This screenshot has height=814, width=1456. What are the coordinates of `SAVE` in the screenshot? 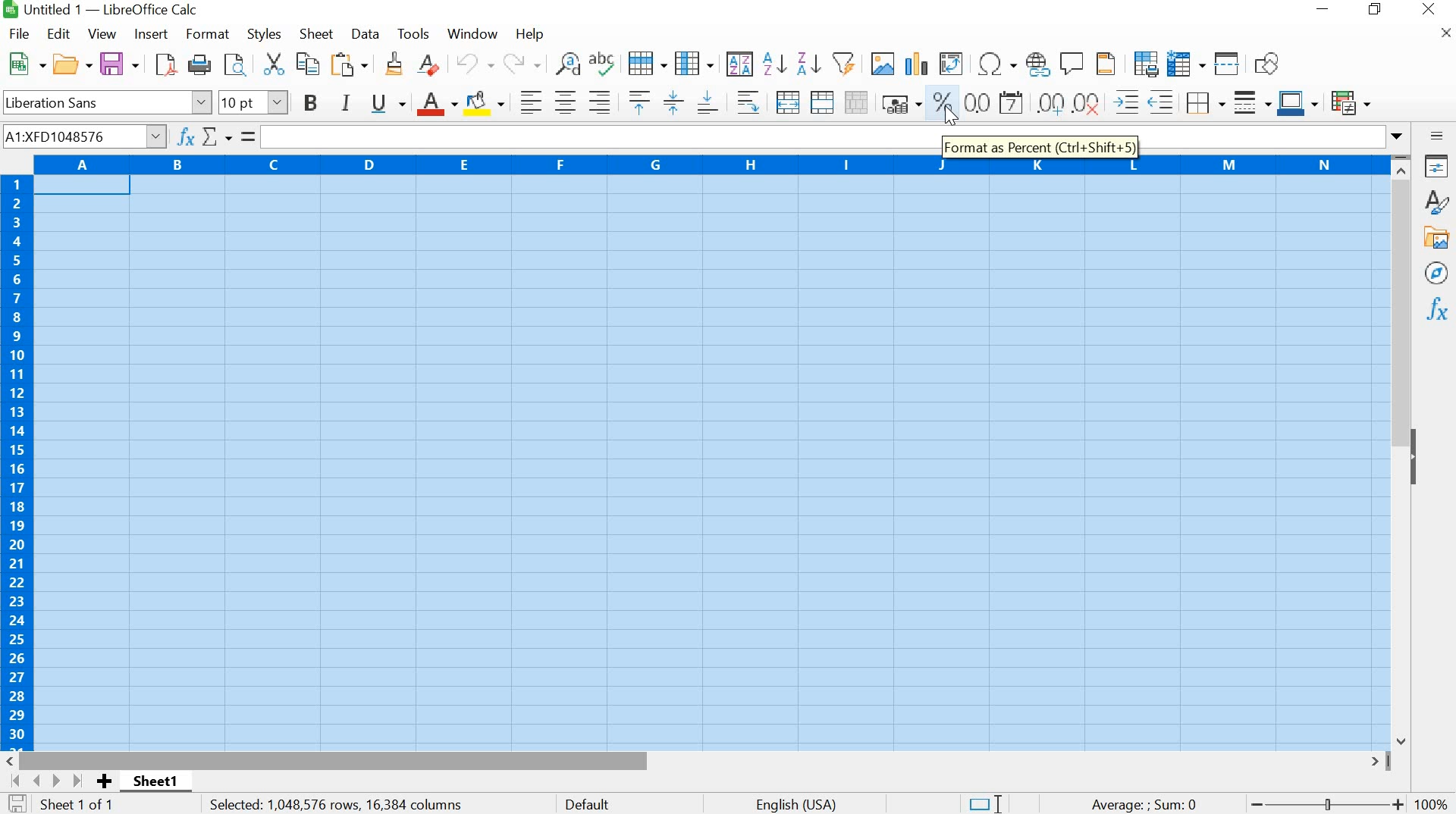 It's located at (17, 803).